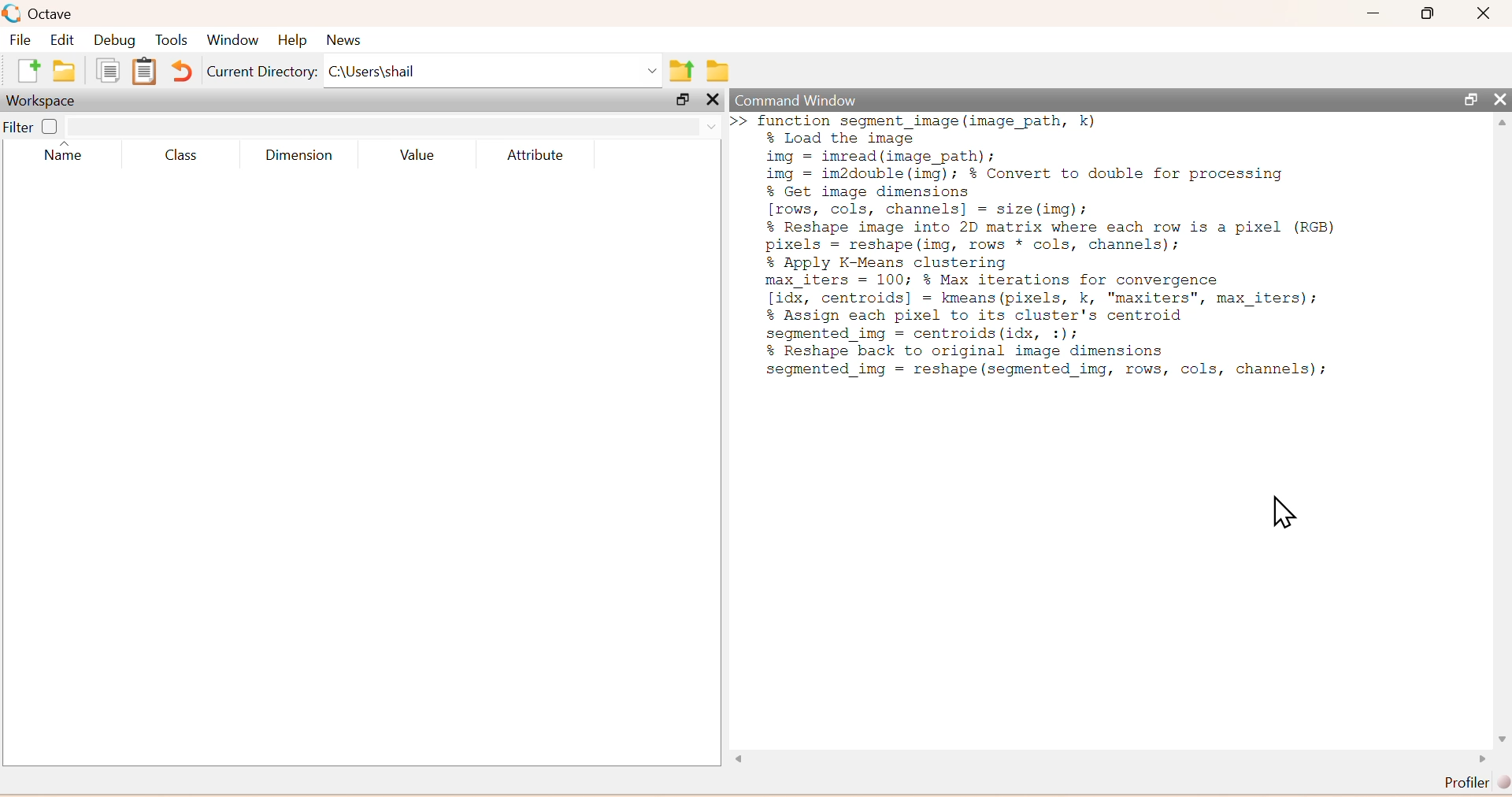 This screenshot has height=797, width=1512. What do you see at coordinates (684, 72) in the screenshot?
I see `one directory up` at bounding box center [684, 72].